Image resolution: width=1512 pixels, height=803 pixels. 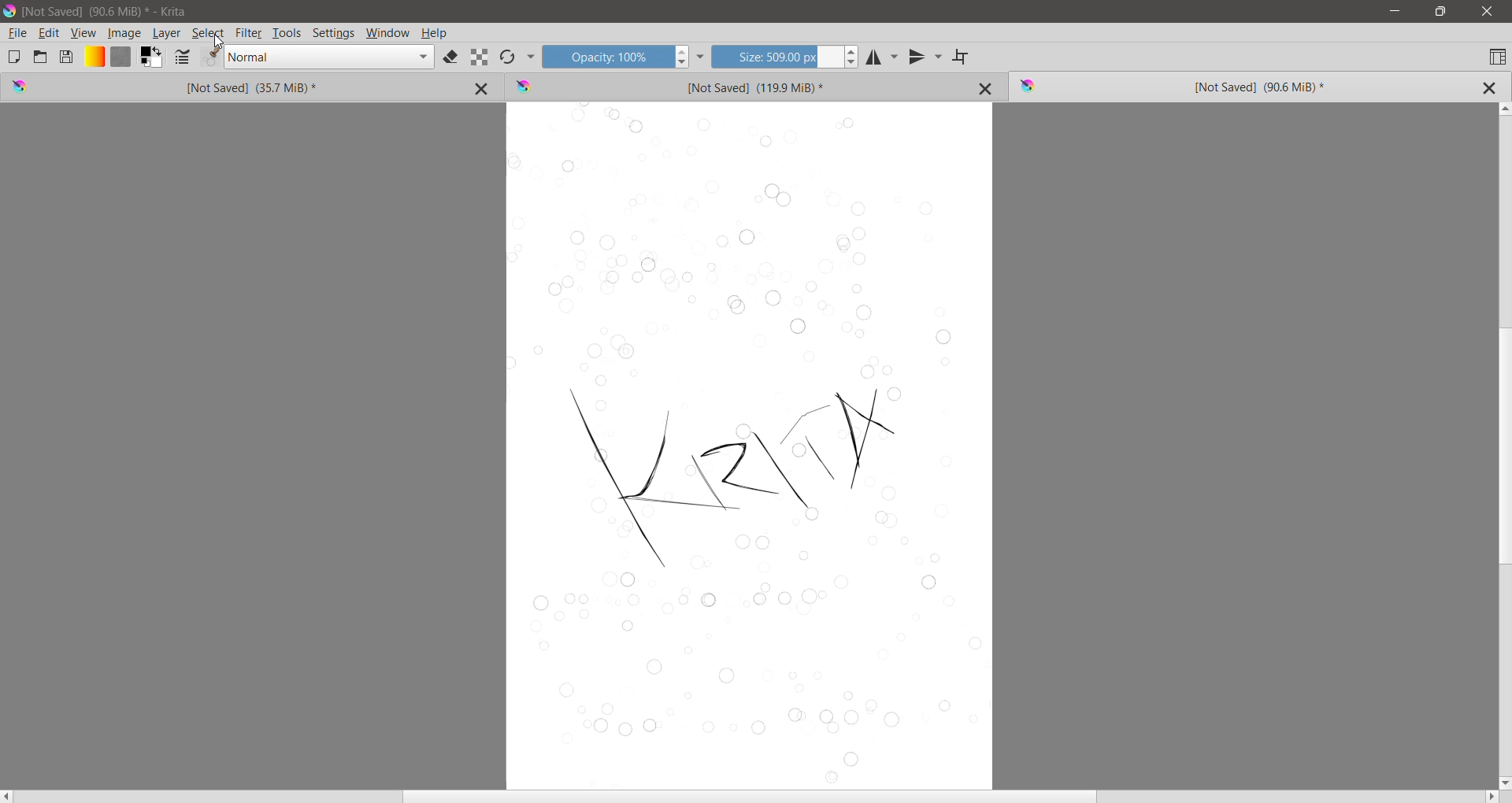 I want to click on Unsaved Image (Current) Tab 3, so click(x=1221, y=87).